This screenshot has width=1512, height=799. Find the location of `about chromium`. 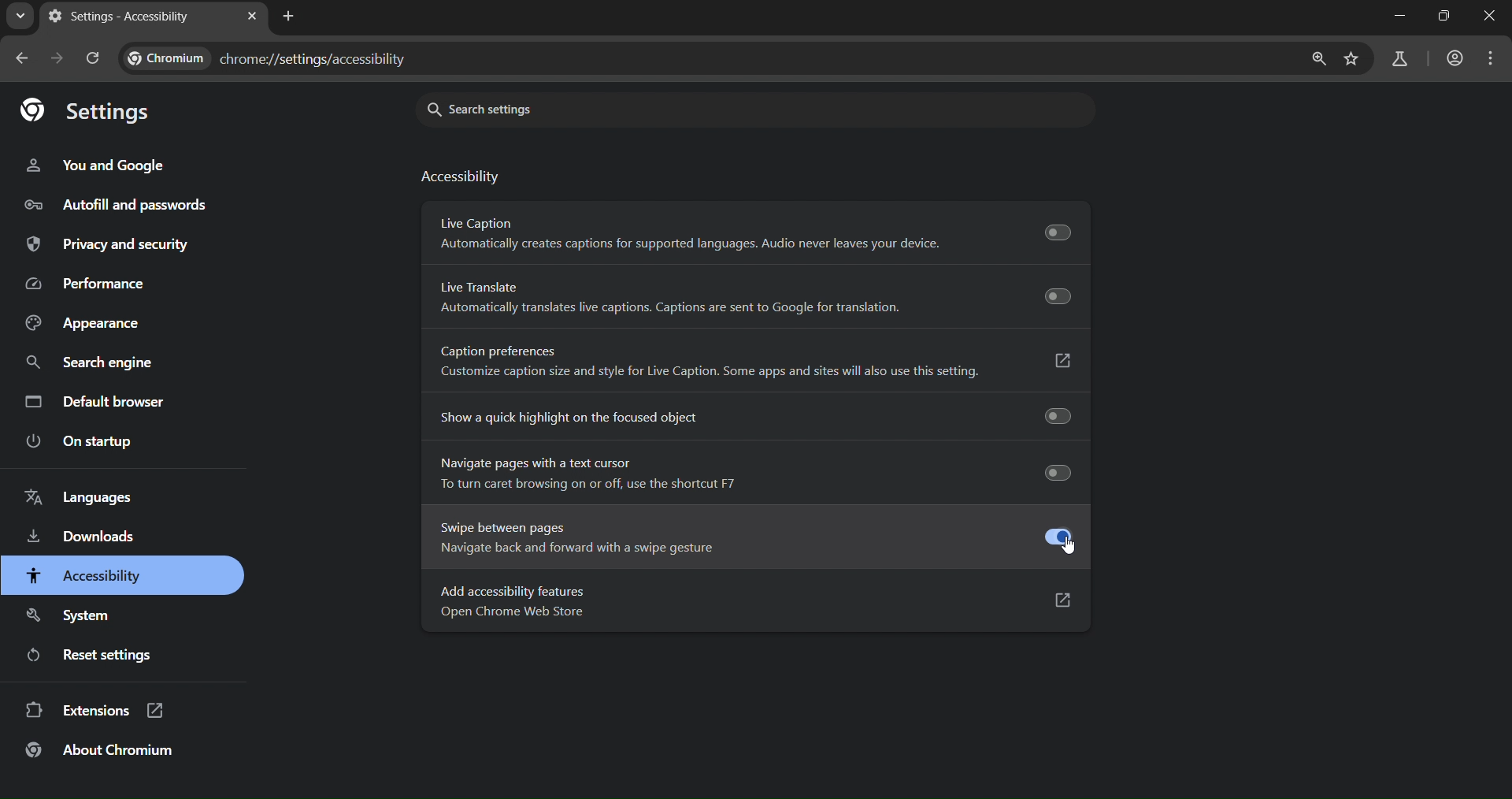

about chromium is located at coordinates (102, 755).